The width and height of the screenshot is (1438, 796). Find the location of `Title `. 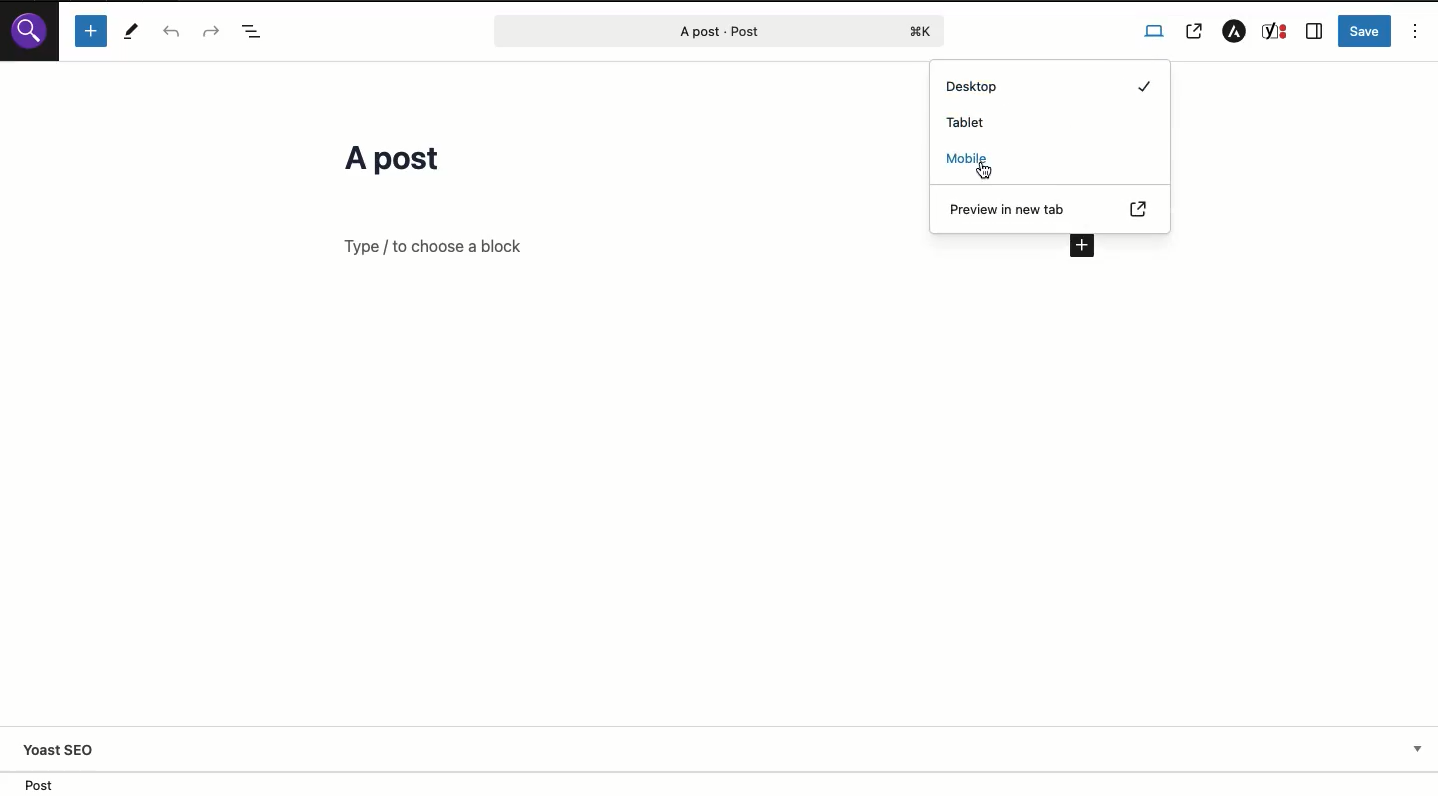

Title  is located at coordinates (395, 162).